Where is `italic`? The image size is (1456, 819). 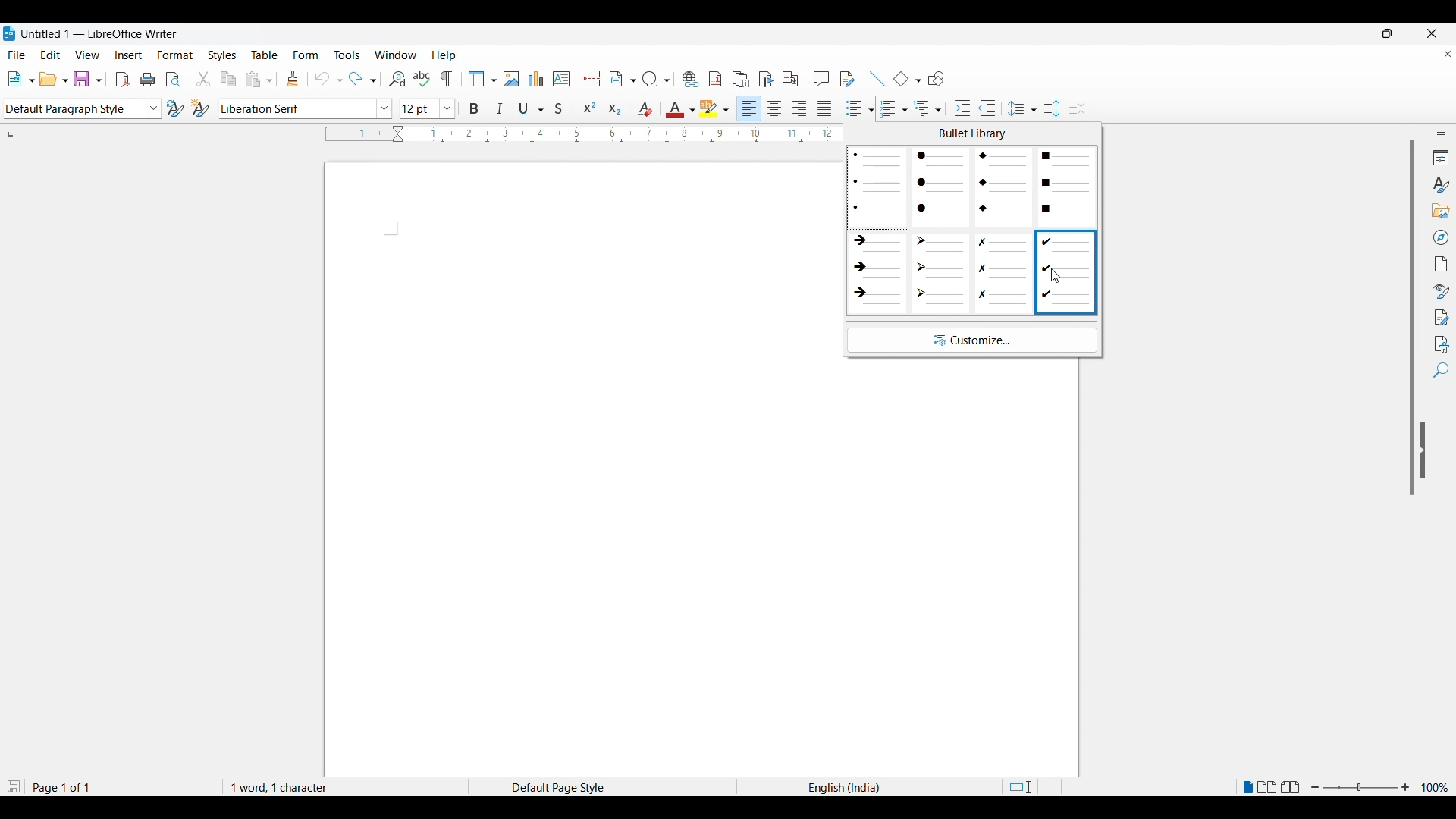
italic is located at coordinates (502, 108).